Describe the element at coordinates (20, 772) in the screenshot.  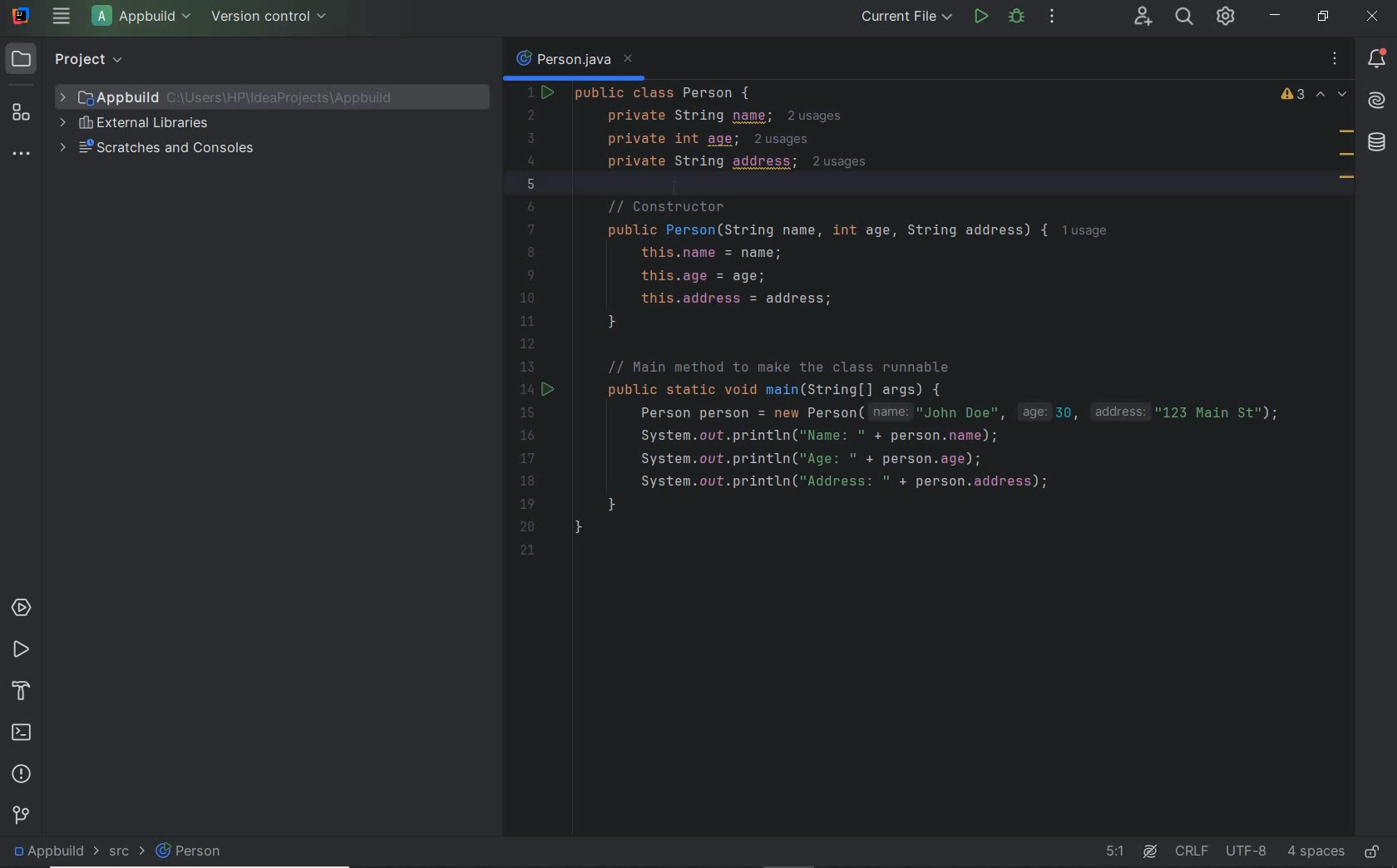
I see `problems` at that location.